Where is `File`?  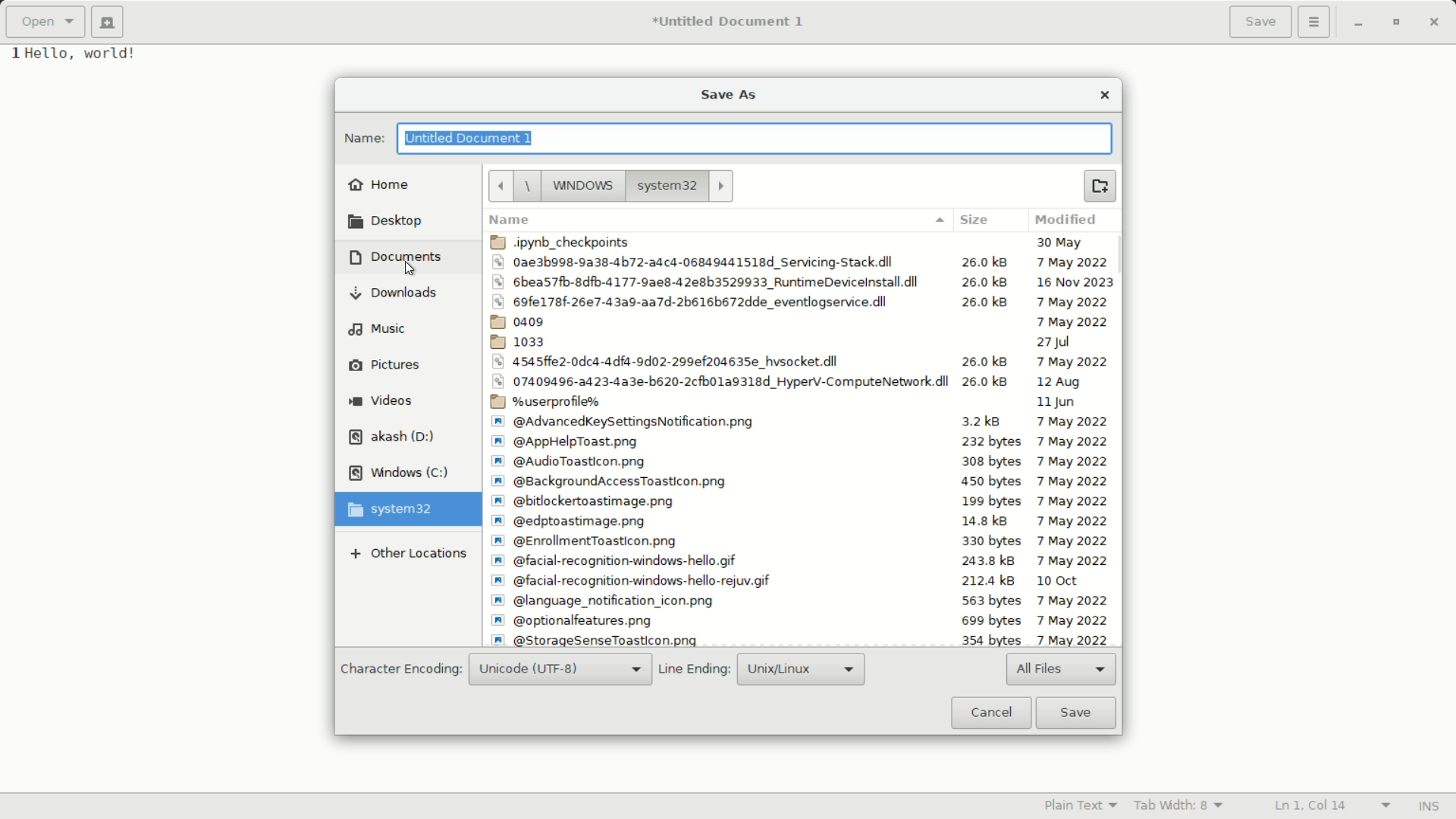 File is located at coordinates (798, 541).